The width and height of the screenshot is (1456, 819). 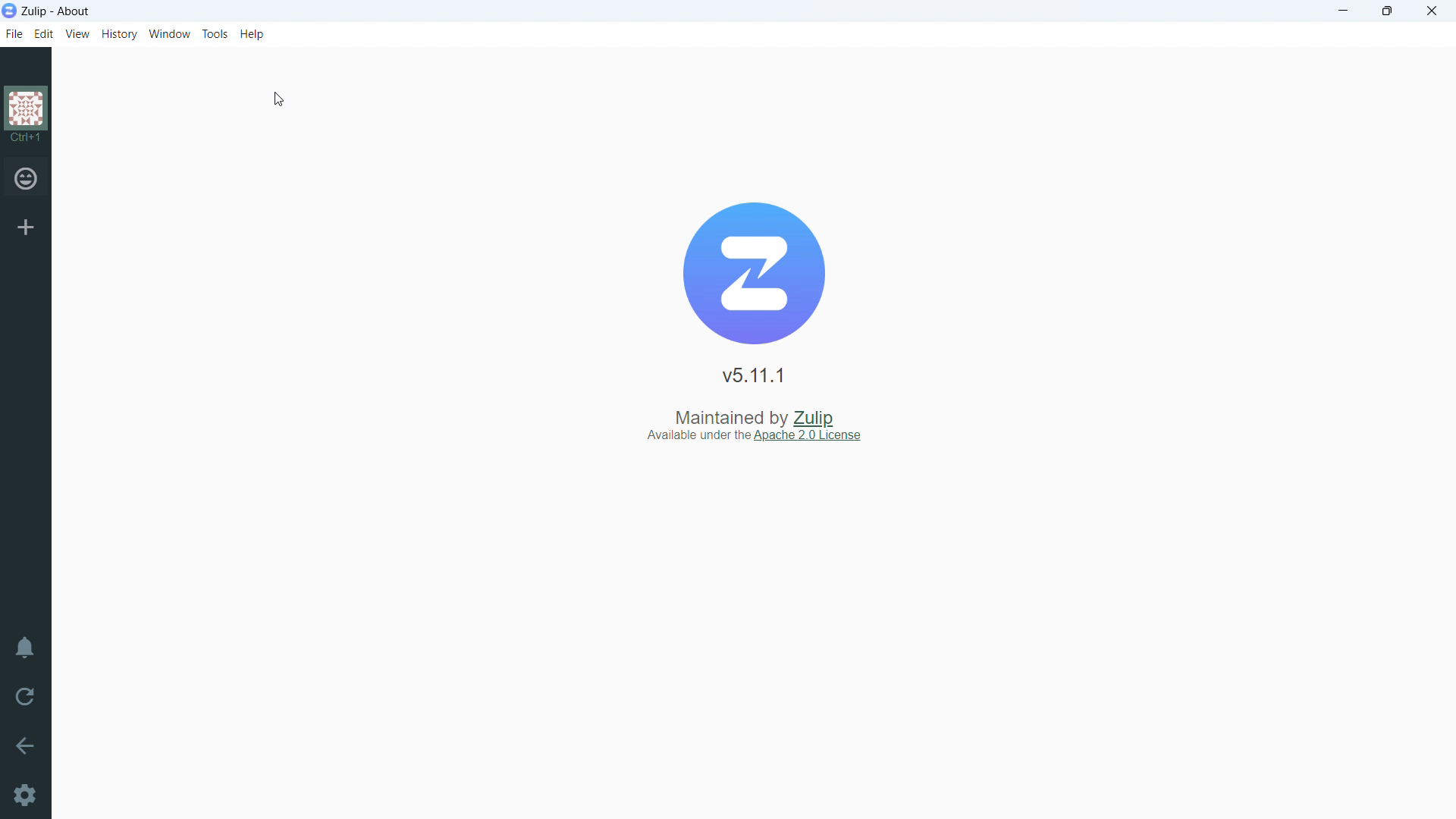 What do you see at coordinates (171, 33) in the screenshot?
I see `window` at bounding box center [171, 33].